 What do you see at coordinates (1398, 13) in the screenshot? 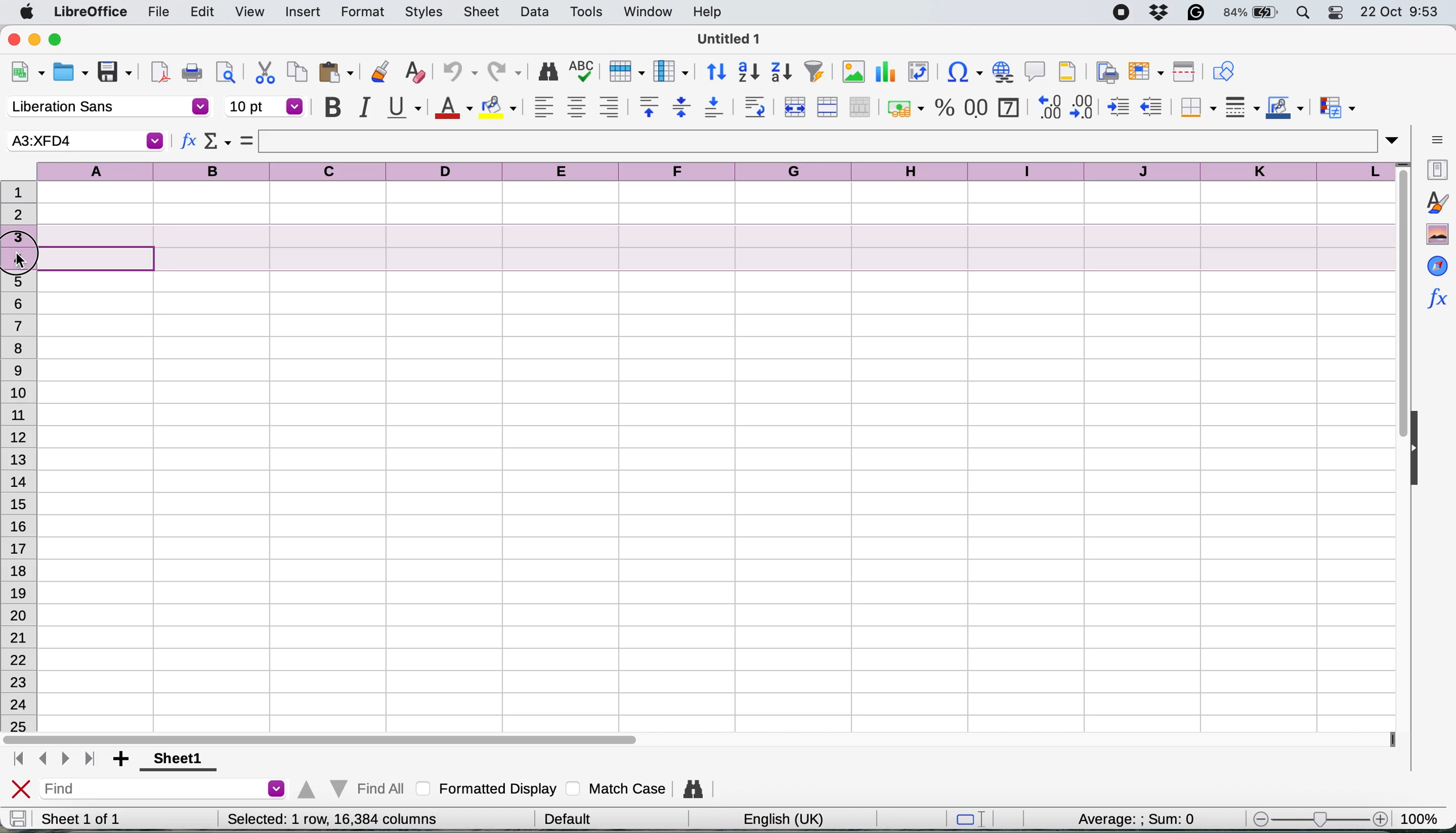
I see `22 oct 9:53` at bounding box center [1398, 13].